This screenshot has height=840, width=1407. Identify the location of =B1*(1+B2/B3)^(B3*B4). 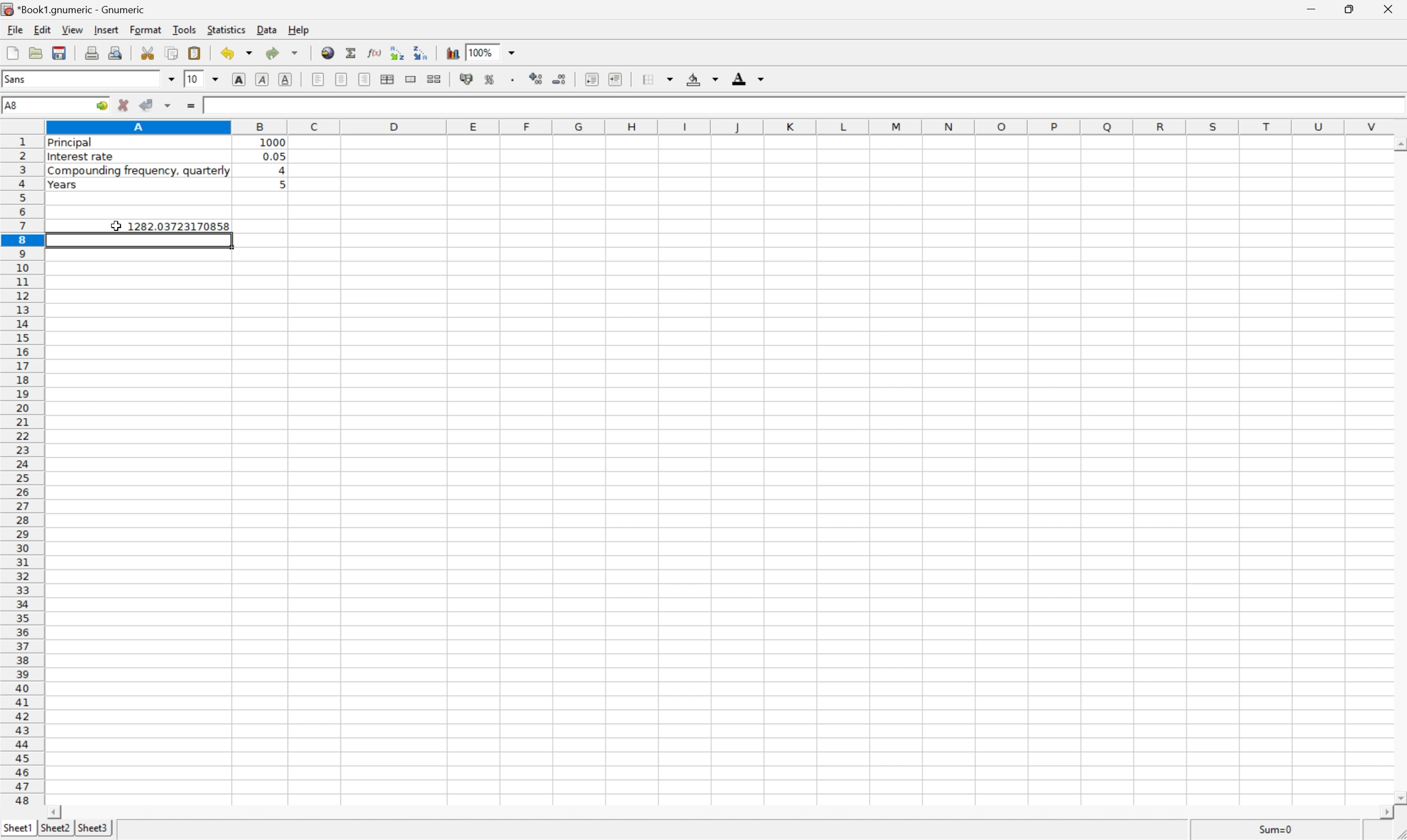
(259, 105).